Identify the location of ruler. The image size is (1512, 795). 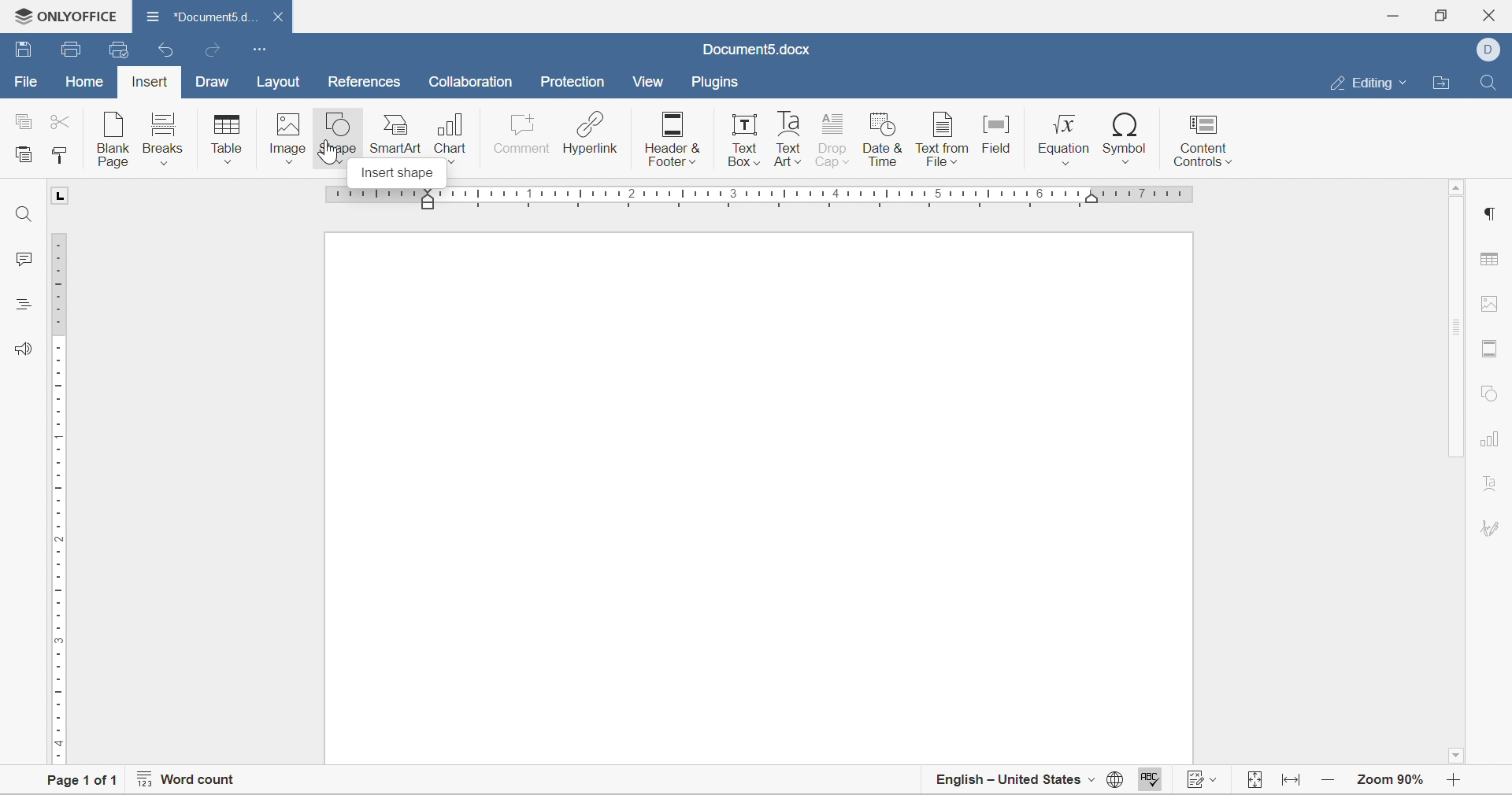
(755, 198).